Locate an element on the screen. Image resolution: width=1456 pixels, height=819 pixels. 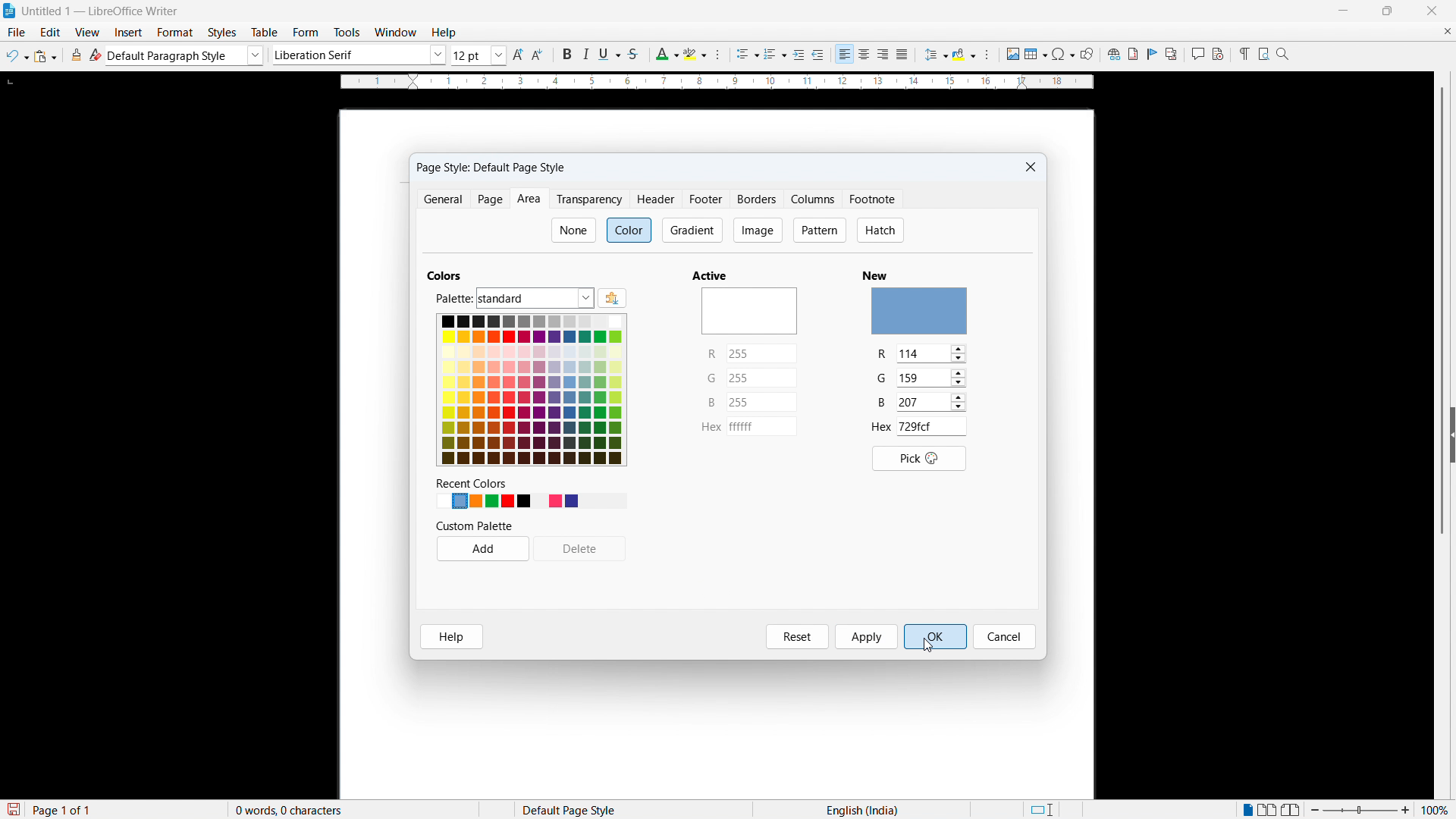
file is located at coordinates (15, 32).